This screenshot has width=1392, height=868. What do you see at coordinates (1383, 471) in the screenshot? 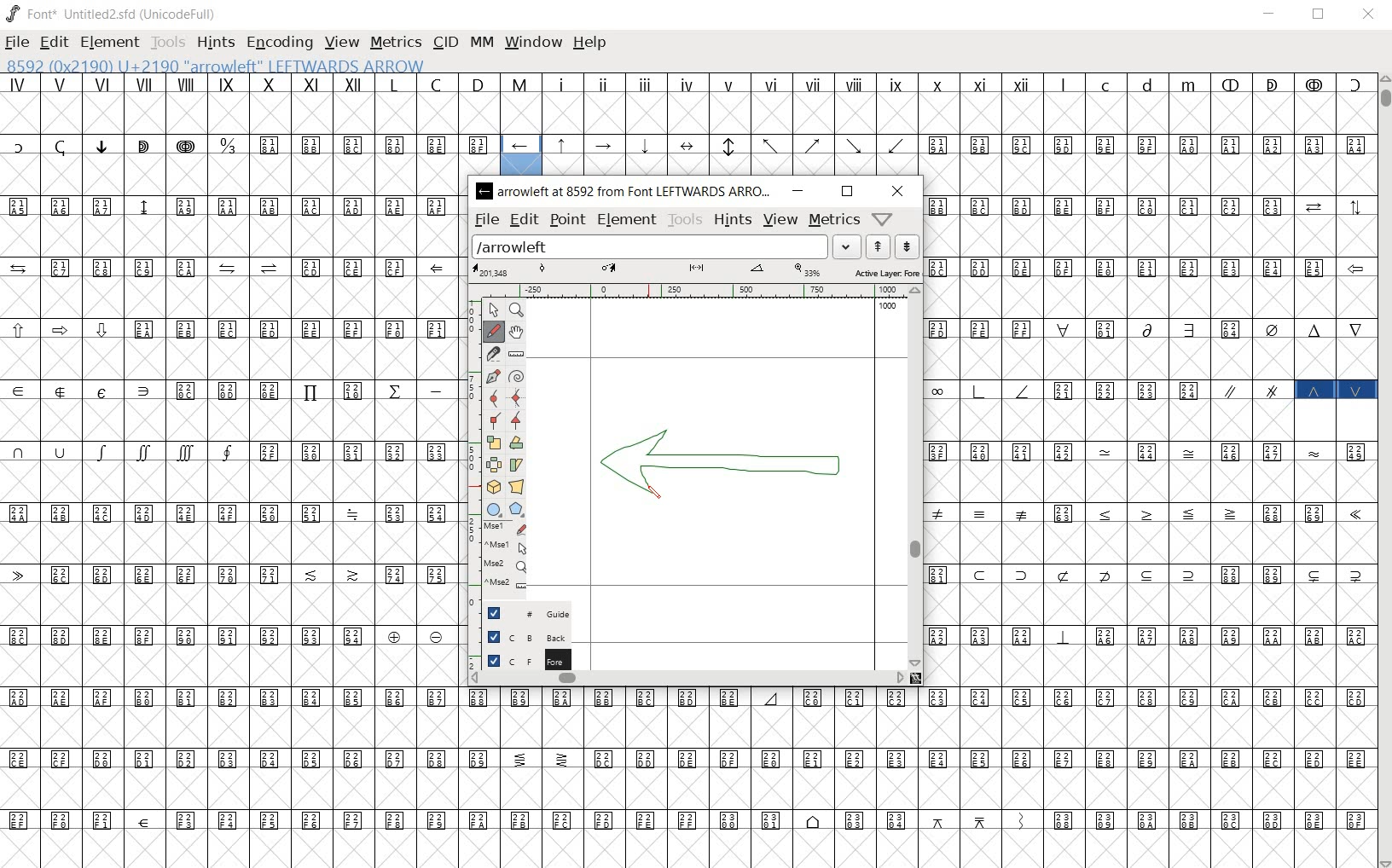
I see `scrollbar` at bounding box center [1383, 471].